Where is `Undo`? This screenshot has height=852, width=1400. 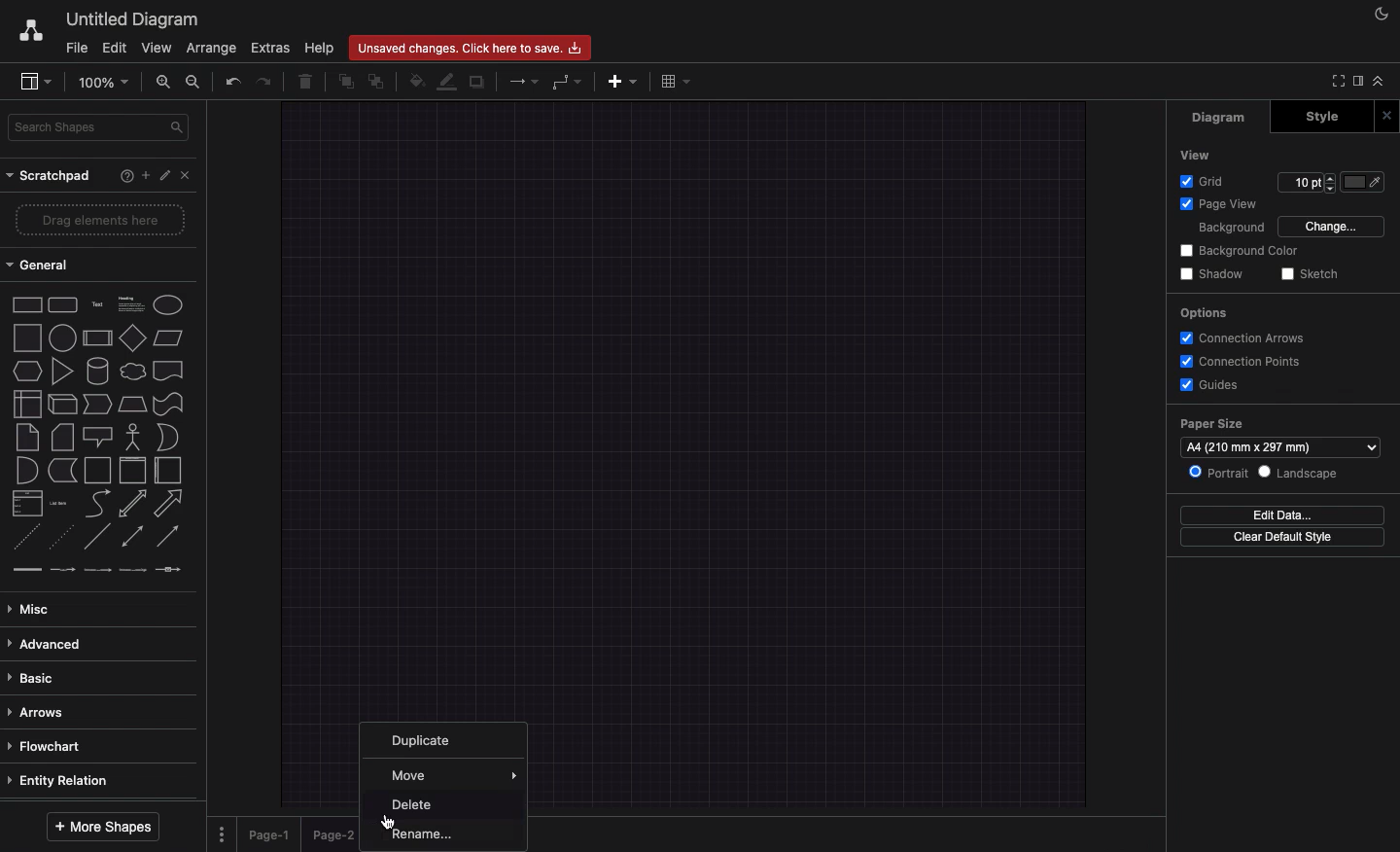
Undo is located at coordinates (234, 81).